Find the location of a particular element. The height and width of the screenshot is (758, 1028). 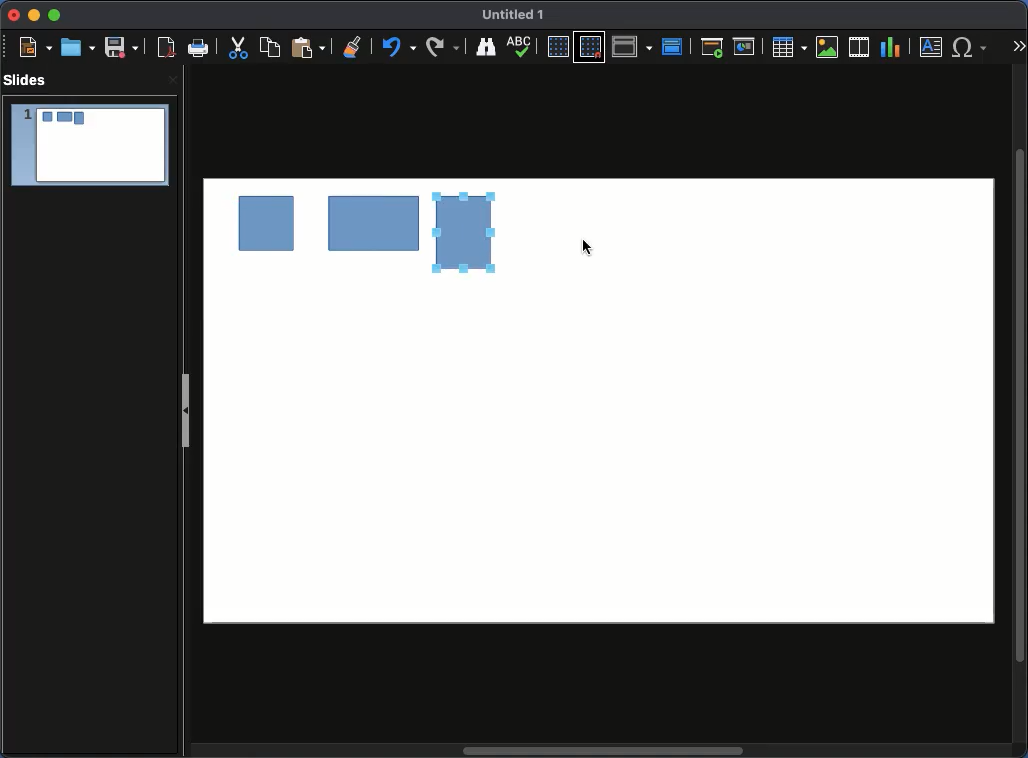

Maximize is located at coordinates (56, 15).